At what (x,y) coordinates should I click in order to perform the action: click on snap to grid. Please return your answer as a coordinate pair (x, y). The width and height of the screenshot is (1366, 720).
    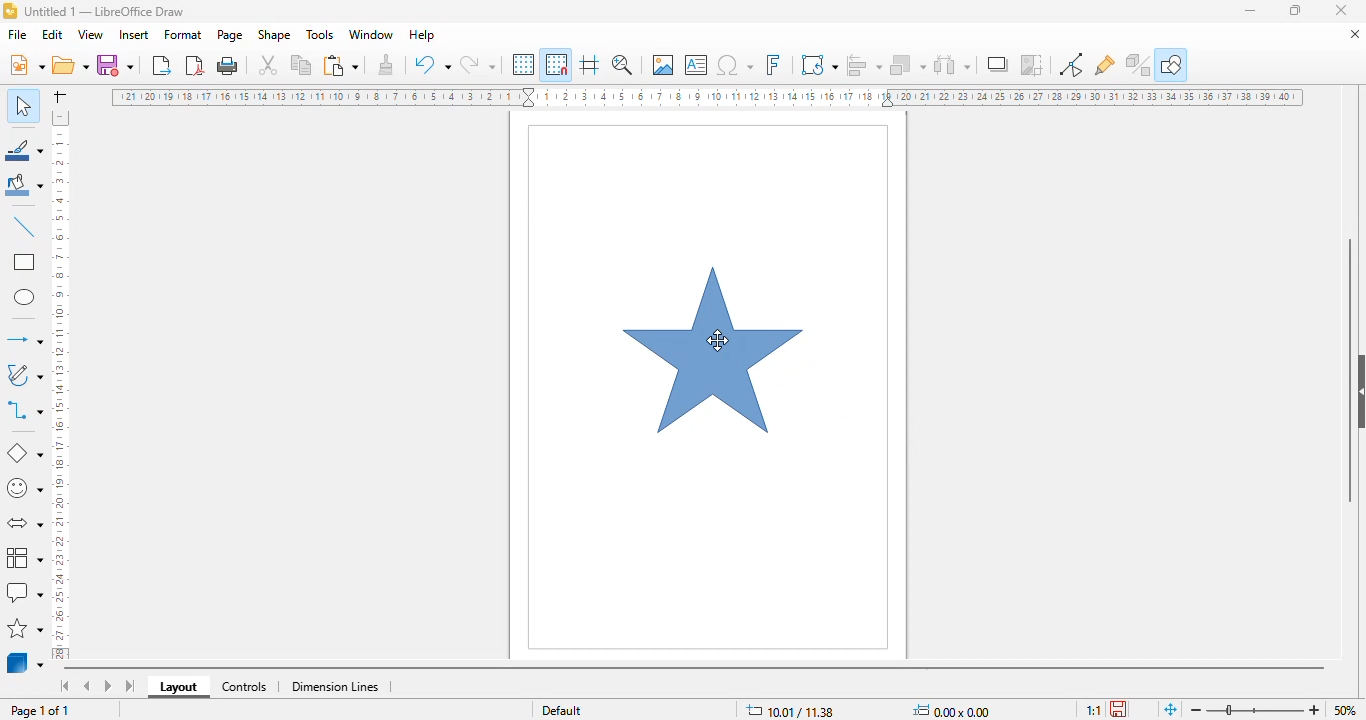
    Looking at the image, I should click on (557, 64).